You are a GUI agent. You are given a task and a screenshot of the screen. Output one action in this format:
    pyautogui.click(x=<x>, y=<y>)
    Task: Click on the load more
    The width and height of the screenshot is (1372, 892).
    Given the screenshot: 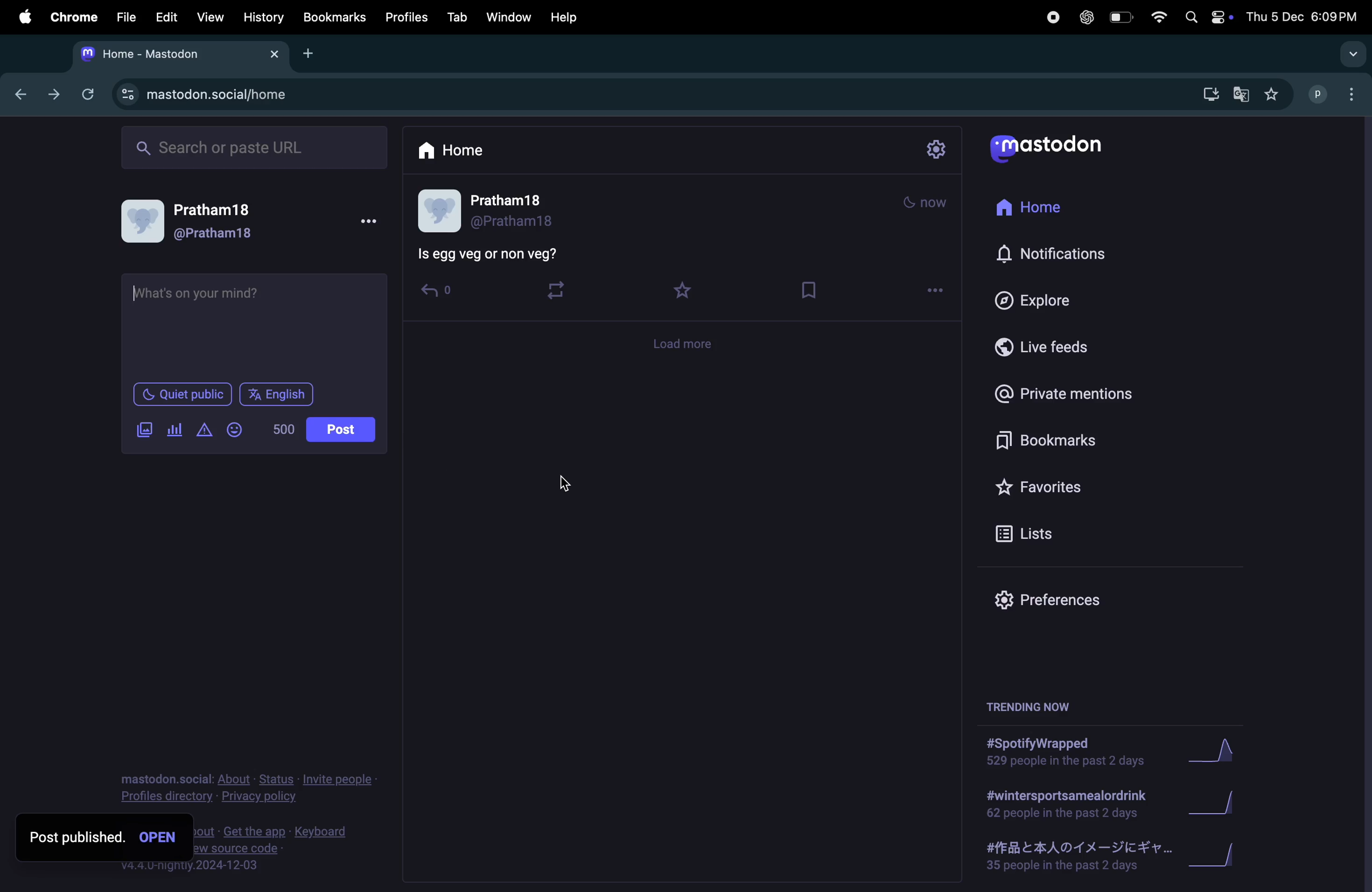 What is the action you would take?
    pyautogui.click(x=680, y=345)
    